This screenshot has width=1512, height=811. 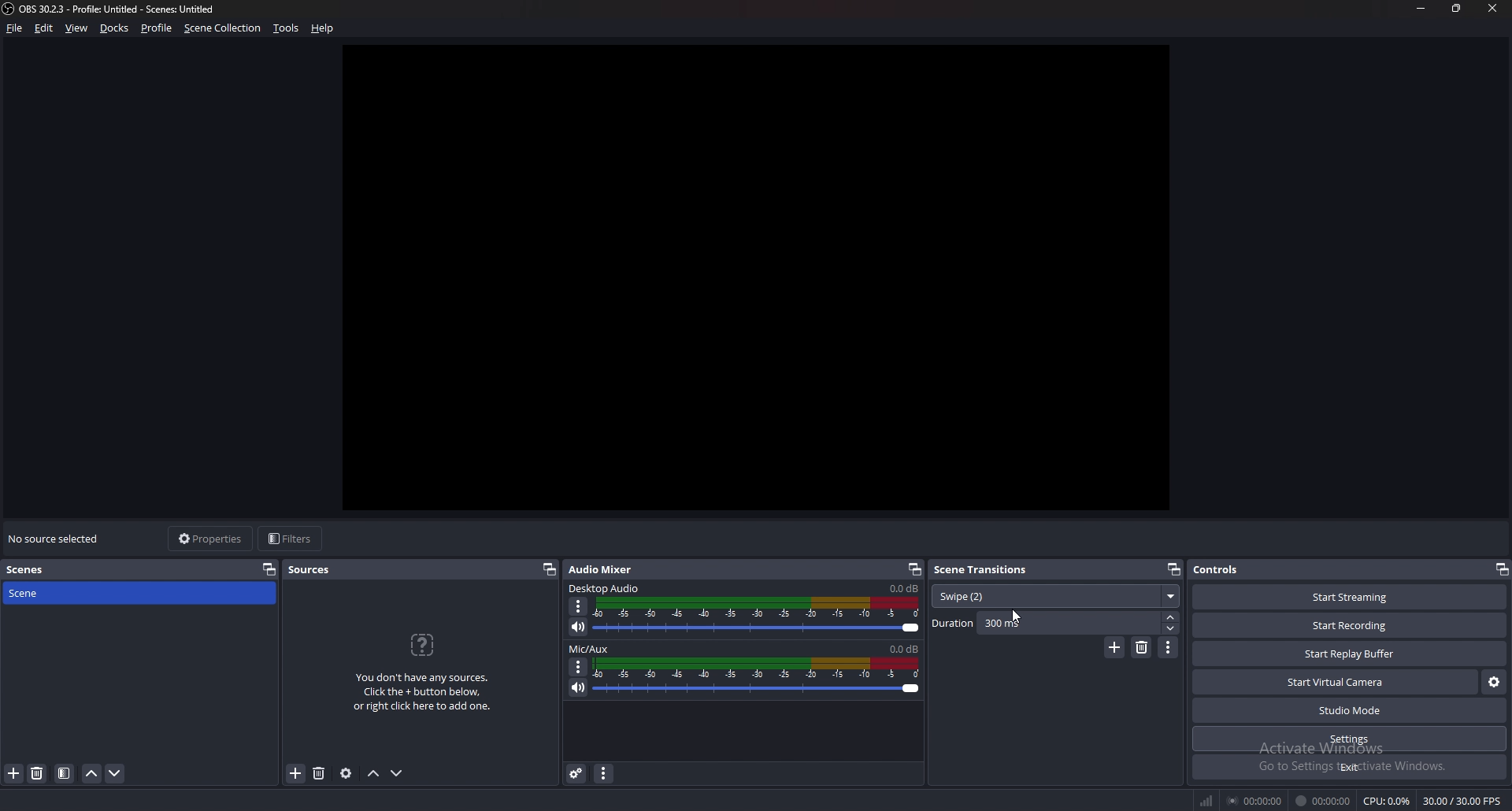 What do you see at coordinates (579, 687) in the screenshot?
I see `mute` at bounding box center [579, 687].